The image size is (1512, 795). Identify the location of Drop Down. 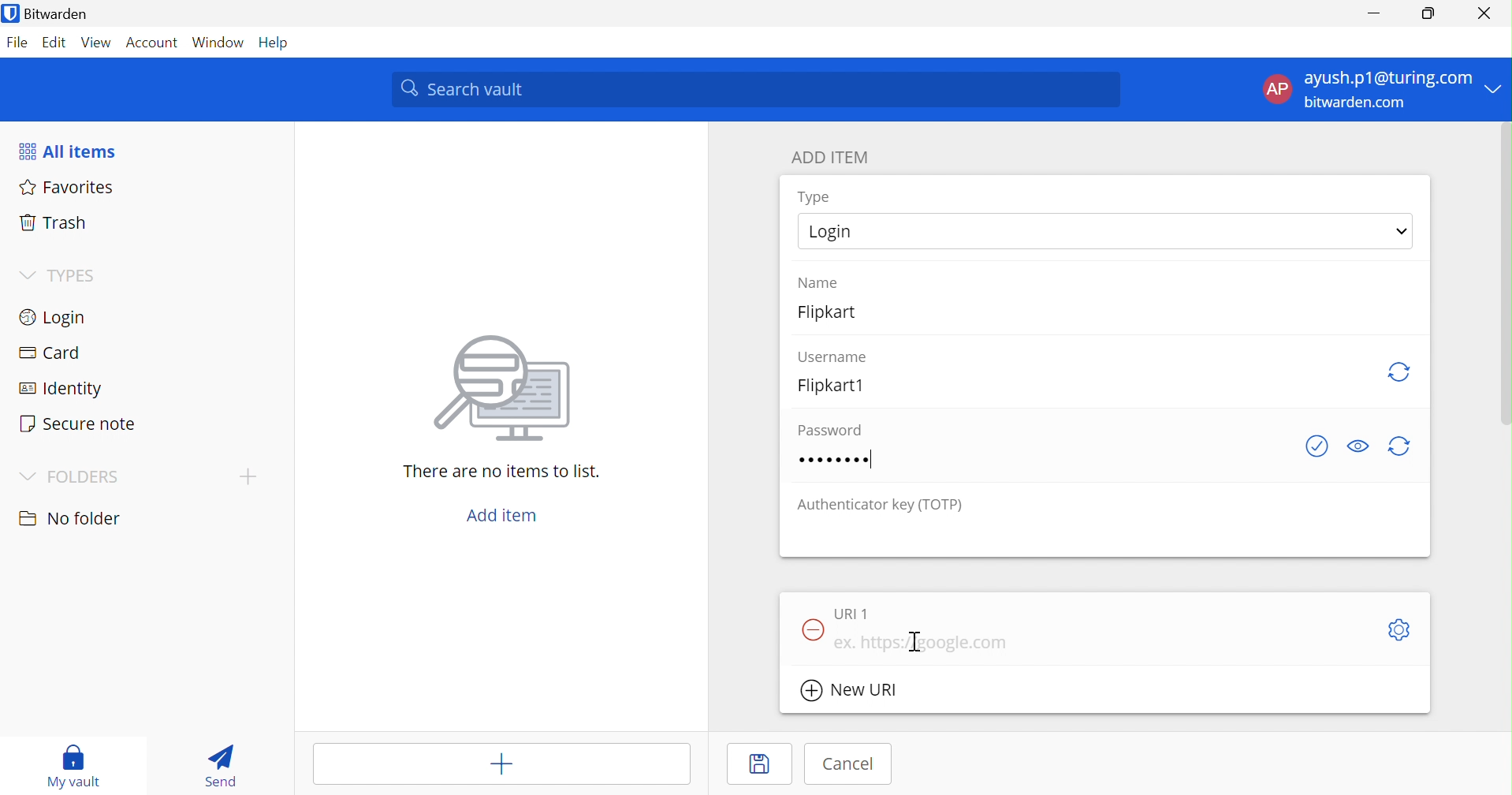
(25, 273).